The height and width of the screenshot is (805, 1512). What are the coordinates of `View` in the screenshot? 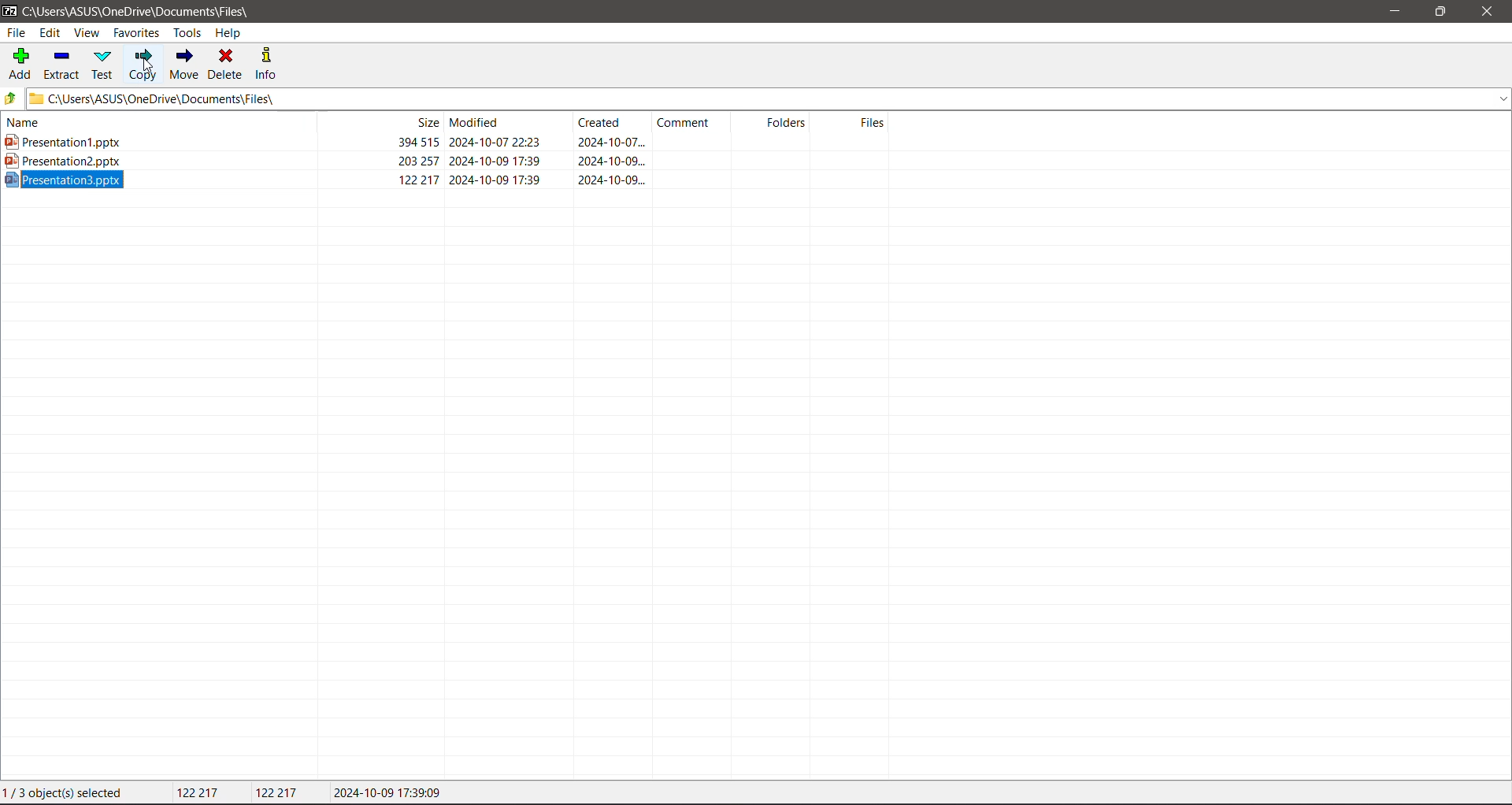 It's located at (86, 33).